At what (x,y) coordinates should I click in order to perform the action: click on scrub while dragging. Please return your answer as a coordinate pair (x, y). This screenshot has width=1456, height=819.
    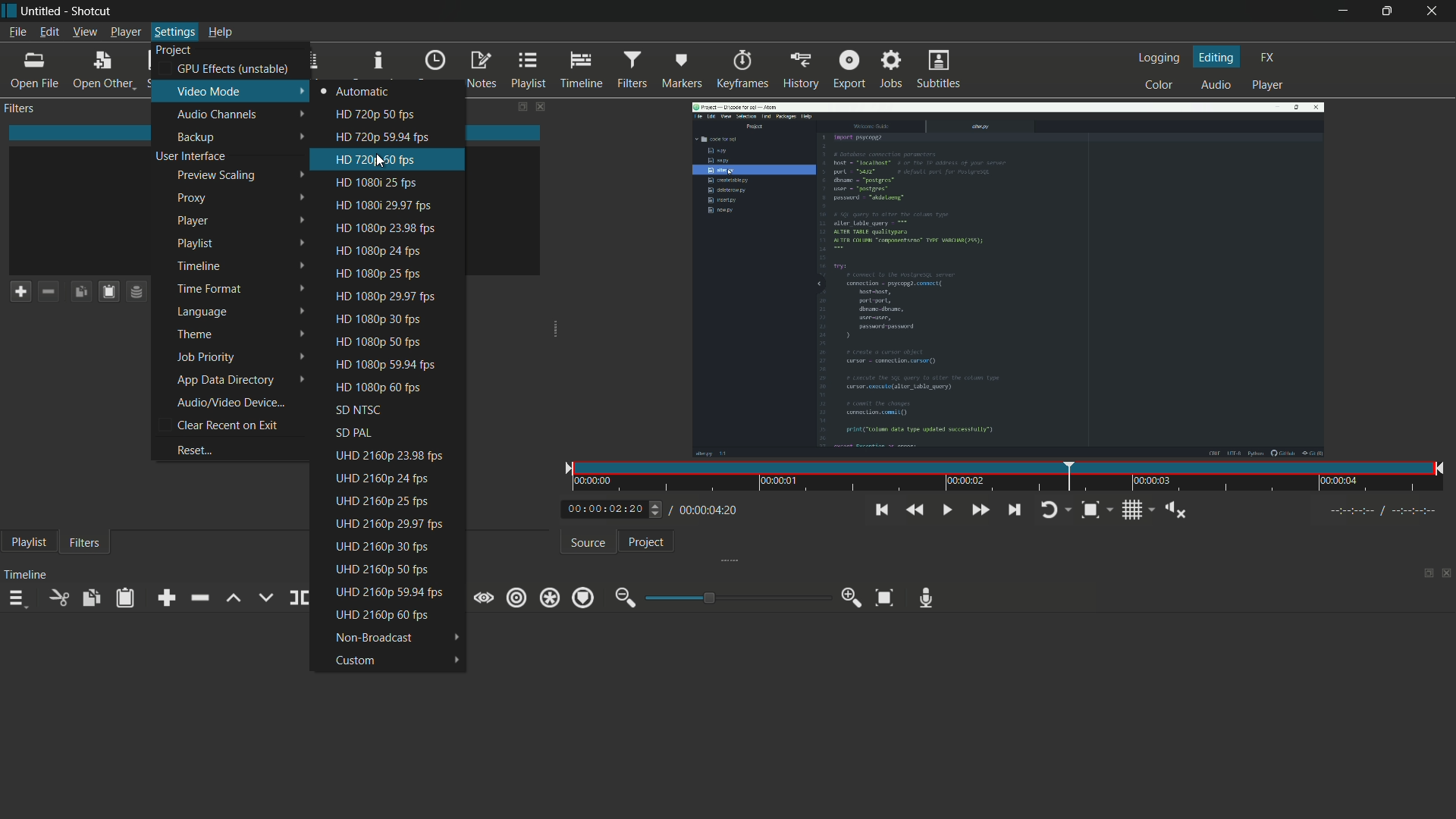
    Looking at the image, I should click on (485, 597).